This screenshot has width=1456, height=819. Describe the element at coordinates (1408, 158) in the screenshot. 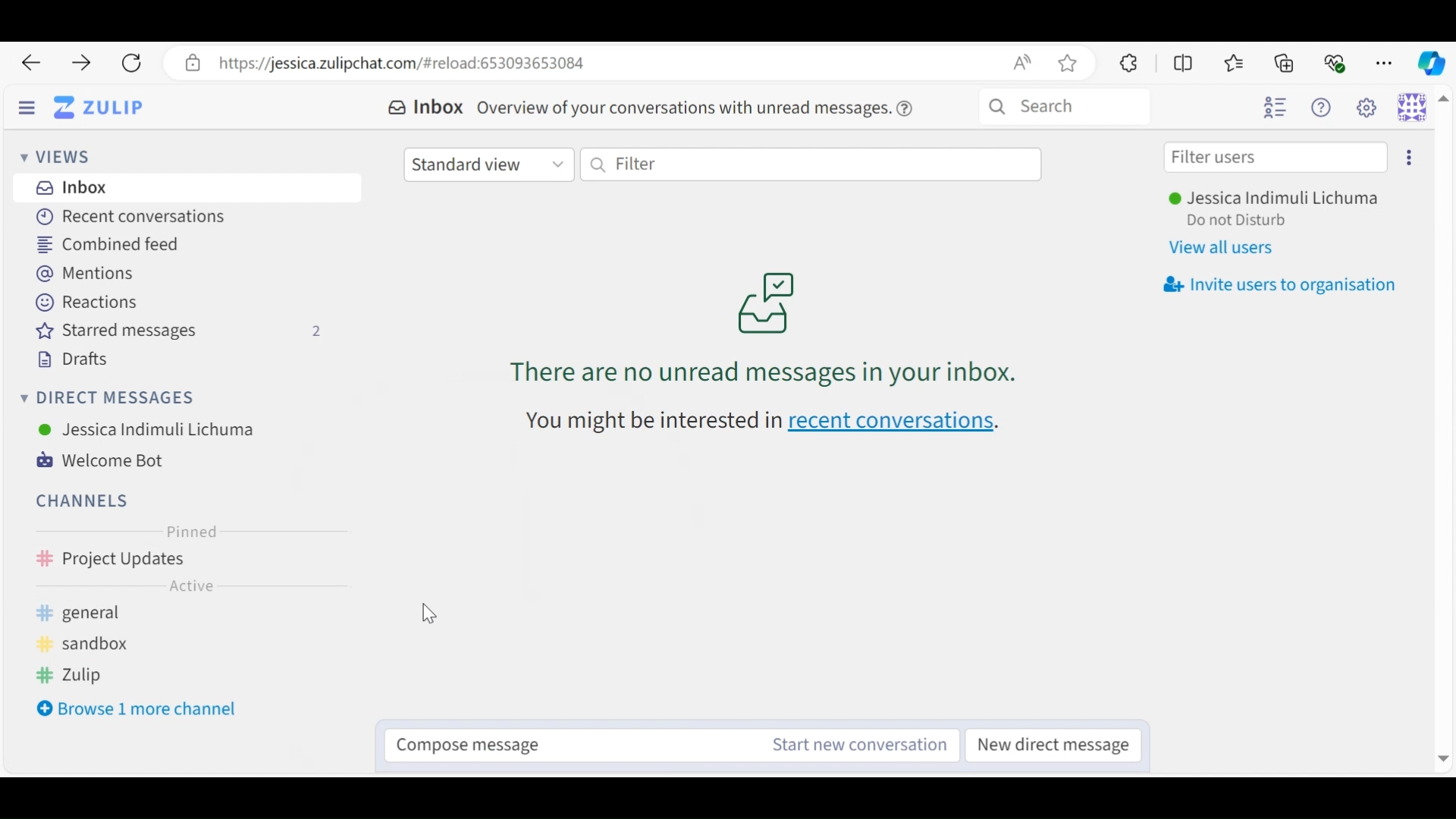

I see `Invite users to organisation` at that location.